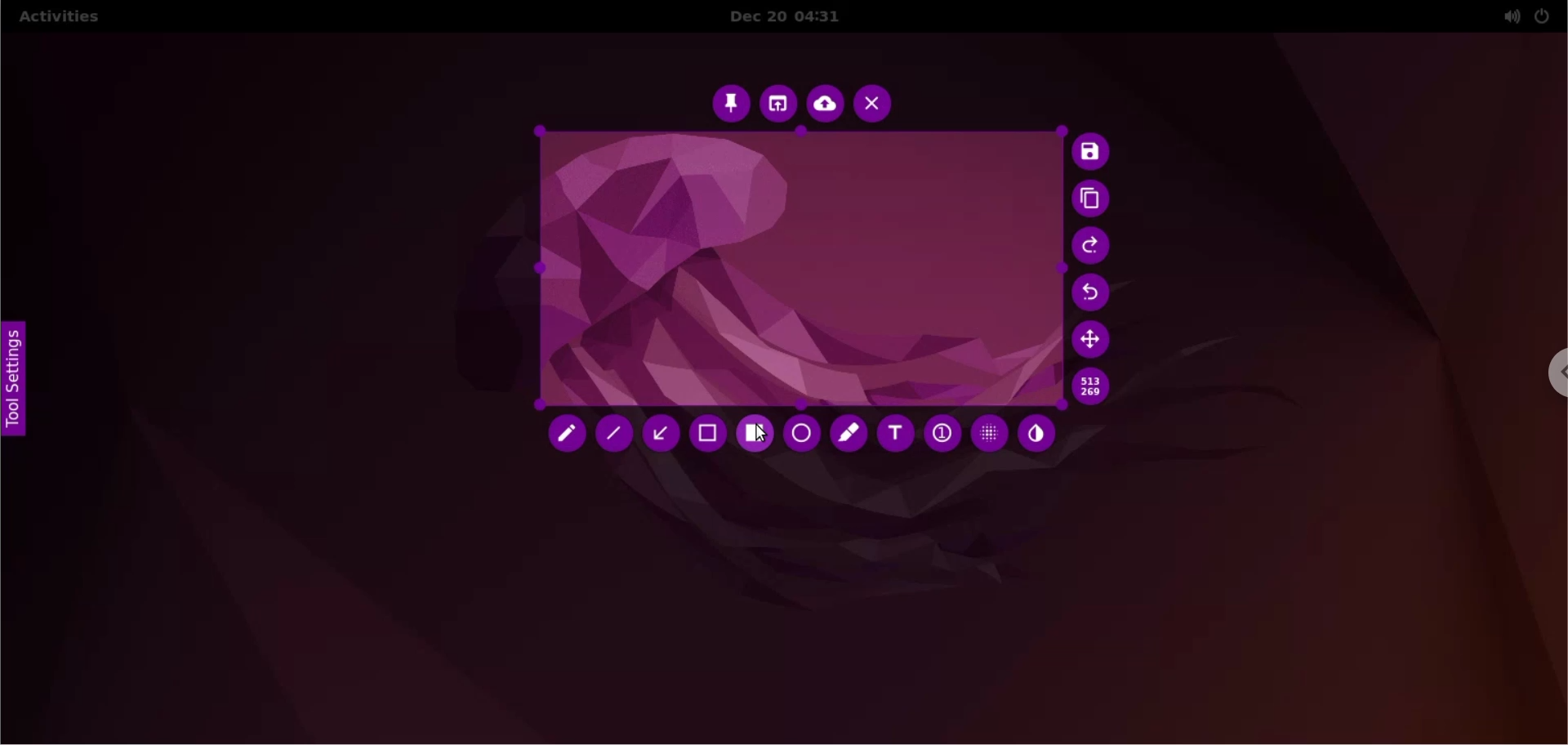  I want to click on chrome options, so click(1555, 373).